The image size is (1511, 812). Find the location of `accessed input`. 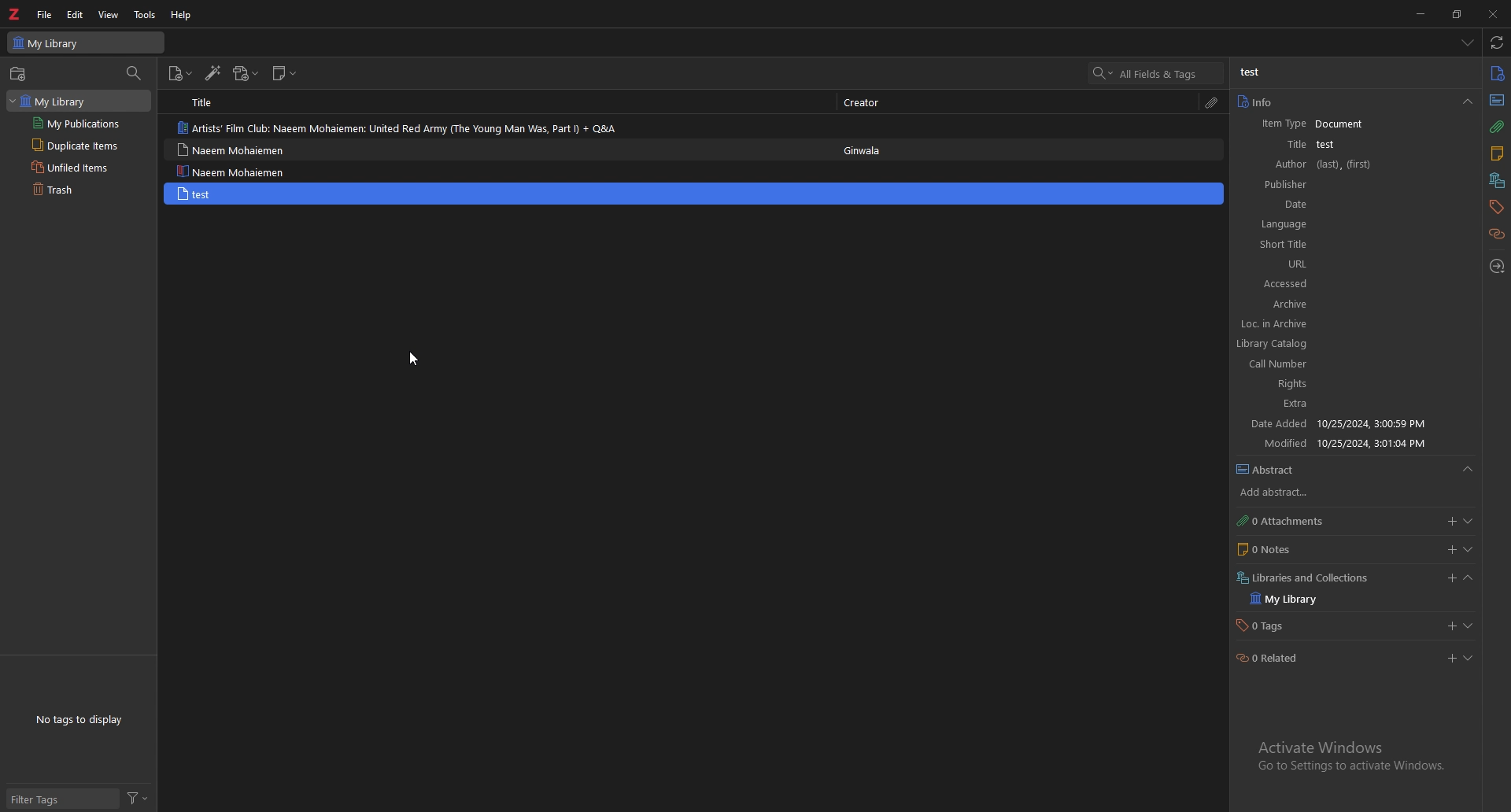

accessed input is located at coordinates (1361, 283).